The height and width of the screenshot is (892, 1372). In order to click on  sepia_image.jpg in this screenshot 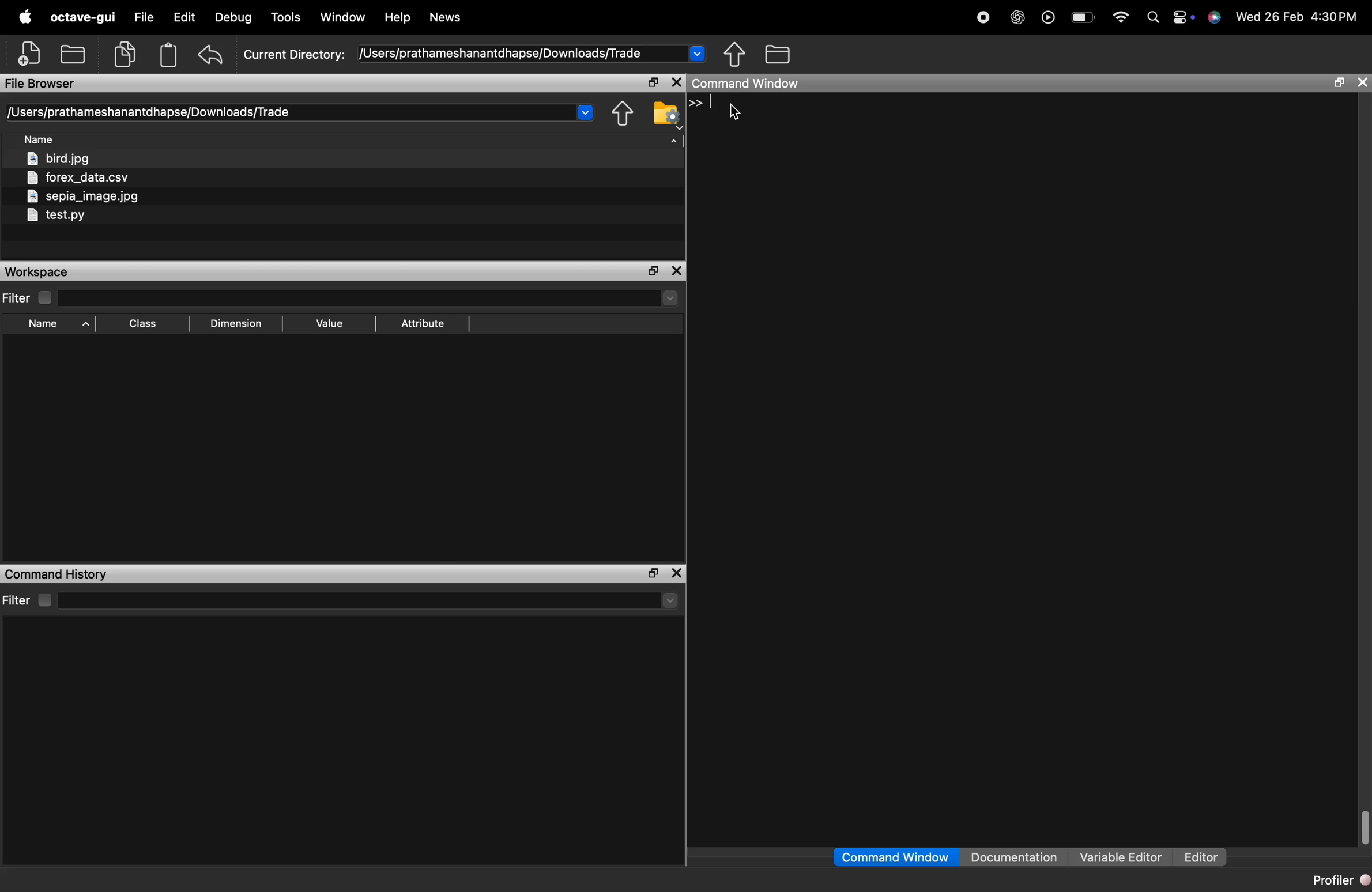, I will do `click(84, 196)`.